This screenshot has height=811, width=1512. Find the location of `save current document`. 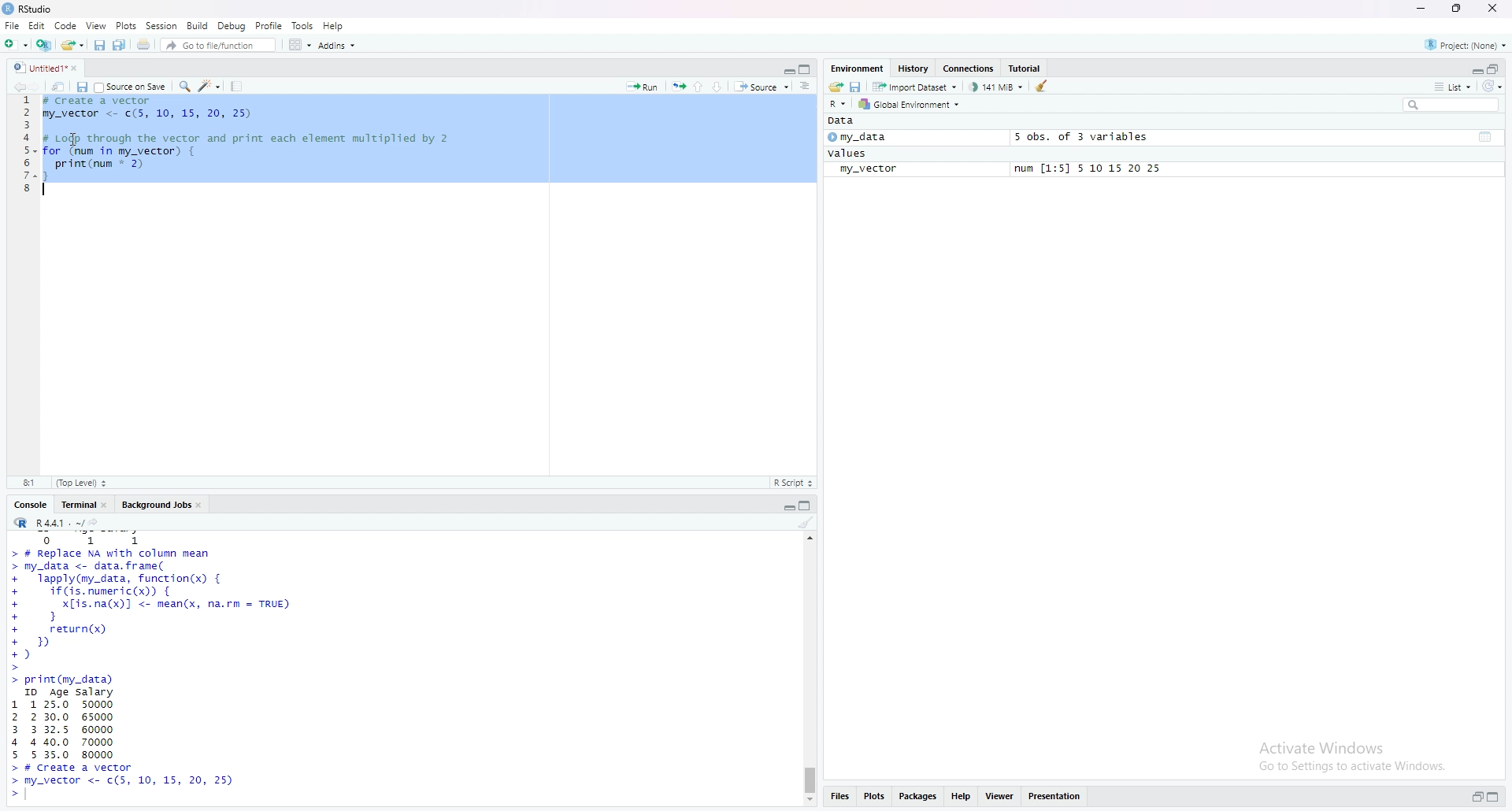

save current document is located at coordinates (82, 87).